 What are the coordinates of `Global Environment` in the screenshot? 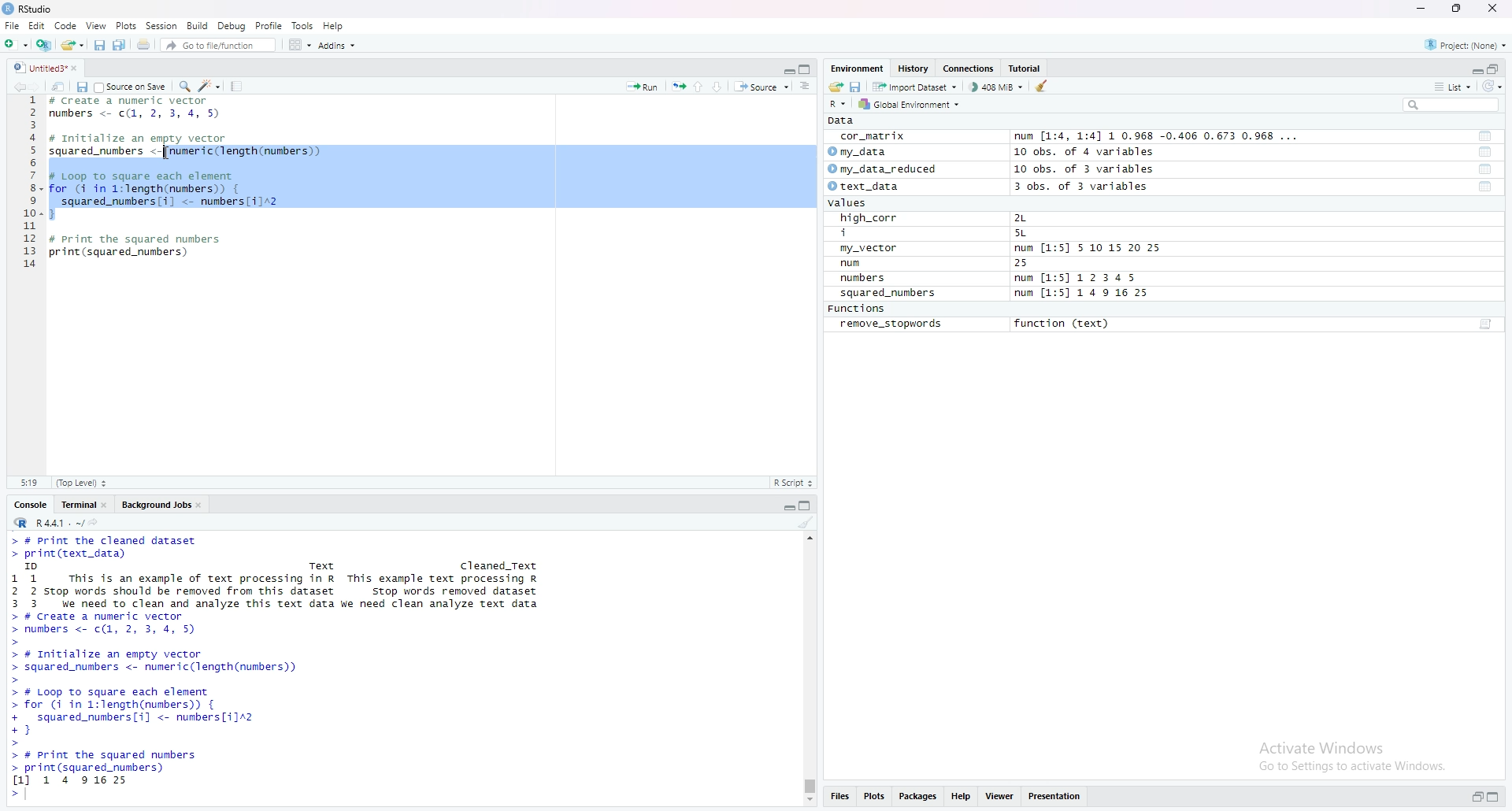 It's located at (910, 104).